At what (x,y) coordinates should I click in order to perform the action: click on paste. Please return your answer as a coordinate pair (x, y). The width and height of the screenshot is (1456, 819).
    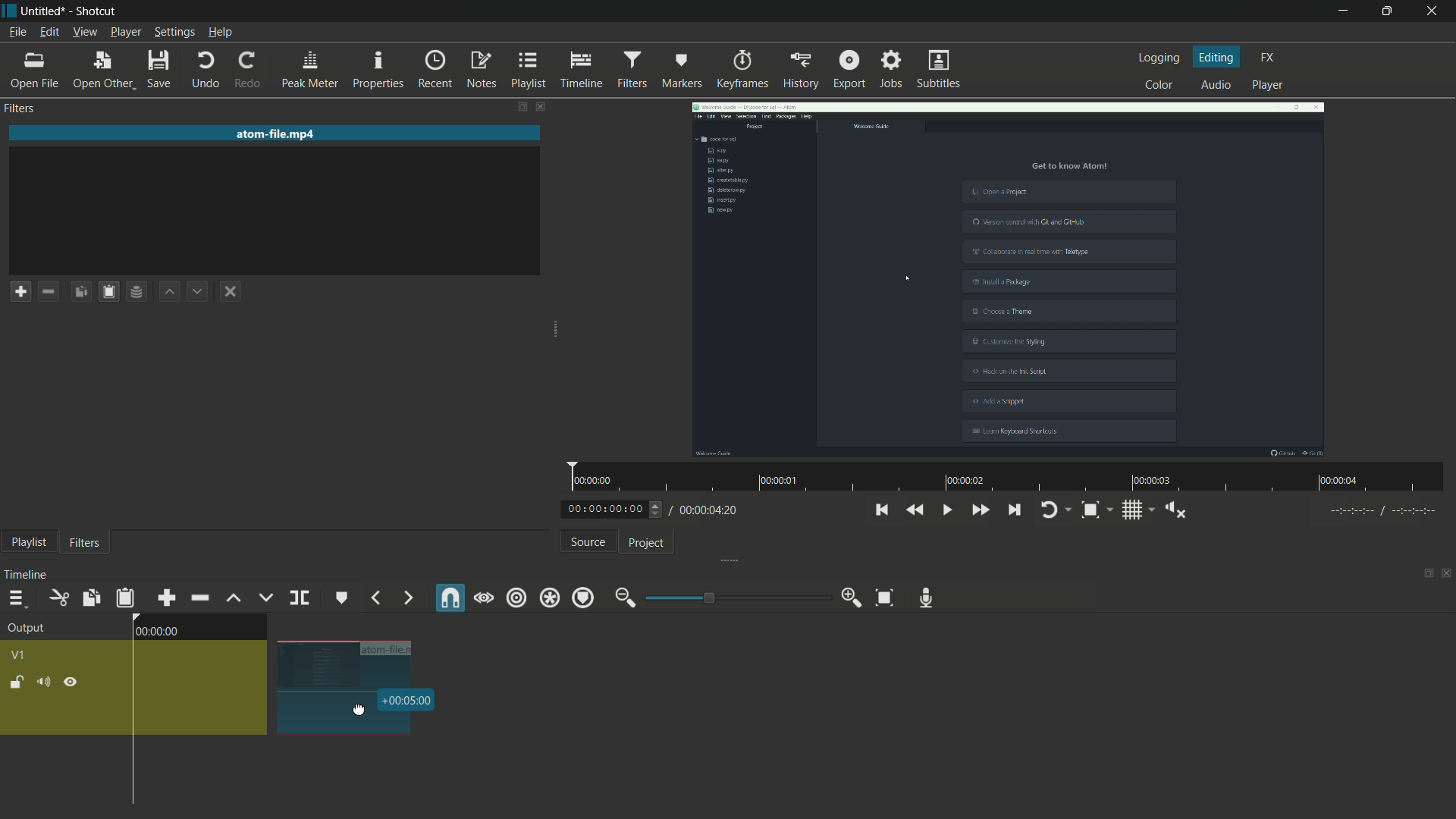
    Looking at the image, I should click on (108, 291).